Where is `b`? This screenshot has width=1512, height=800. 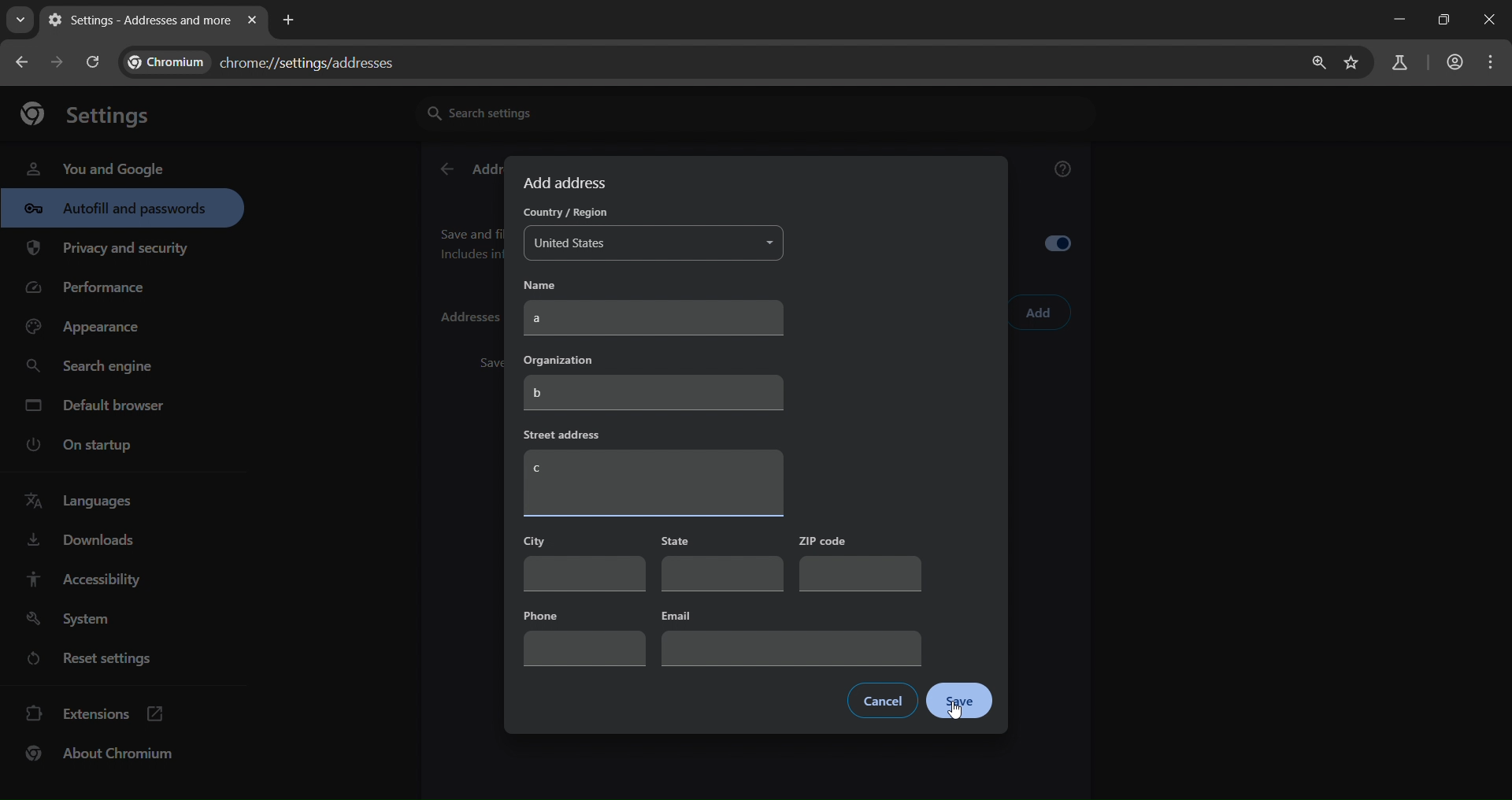 b is located at coordinates (654, 394).